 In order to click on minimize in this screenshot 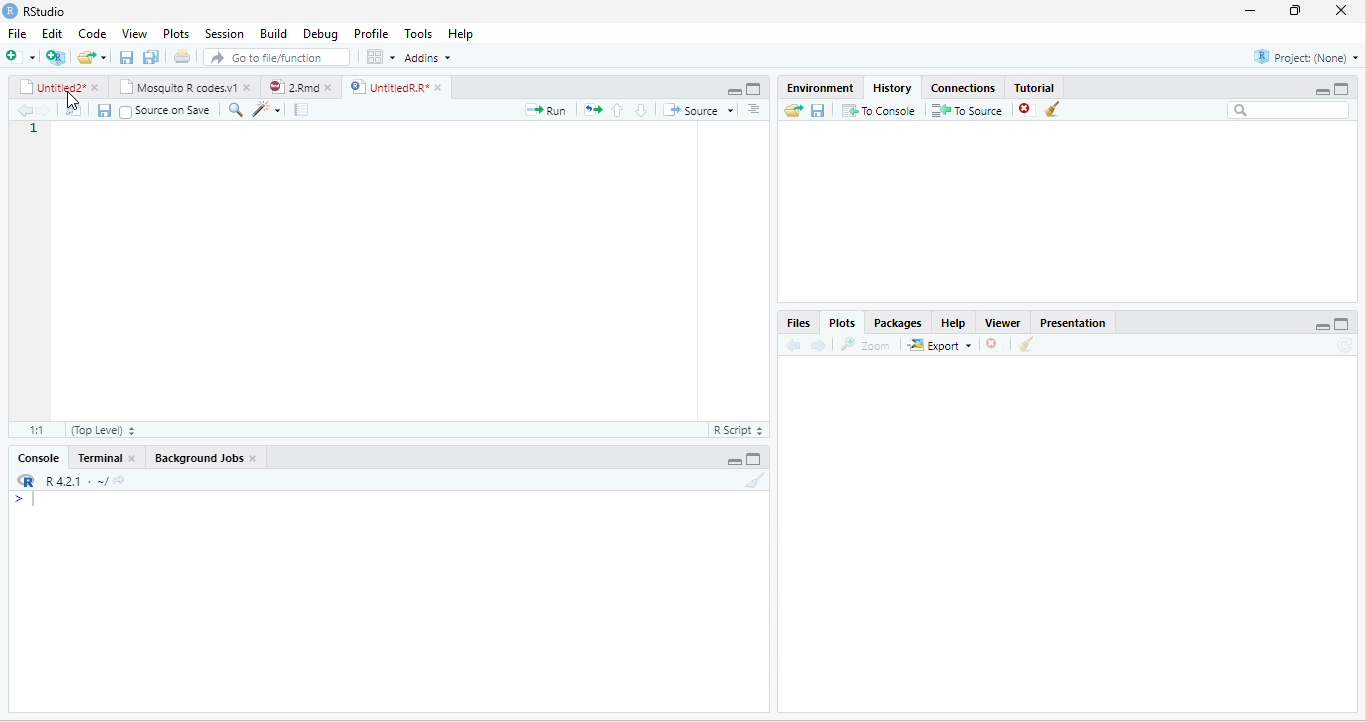, I will do `click(728, 89)`.